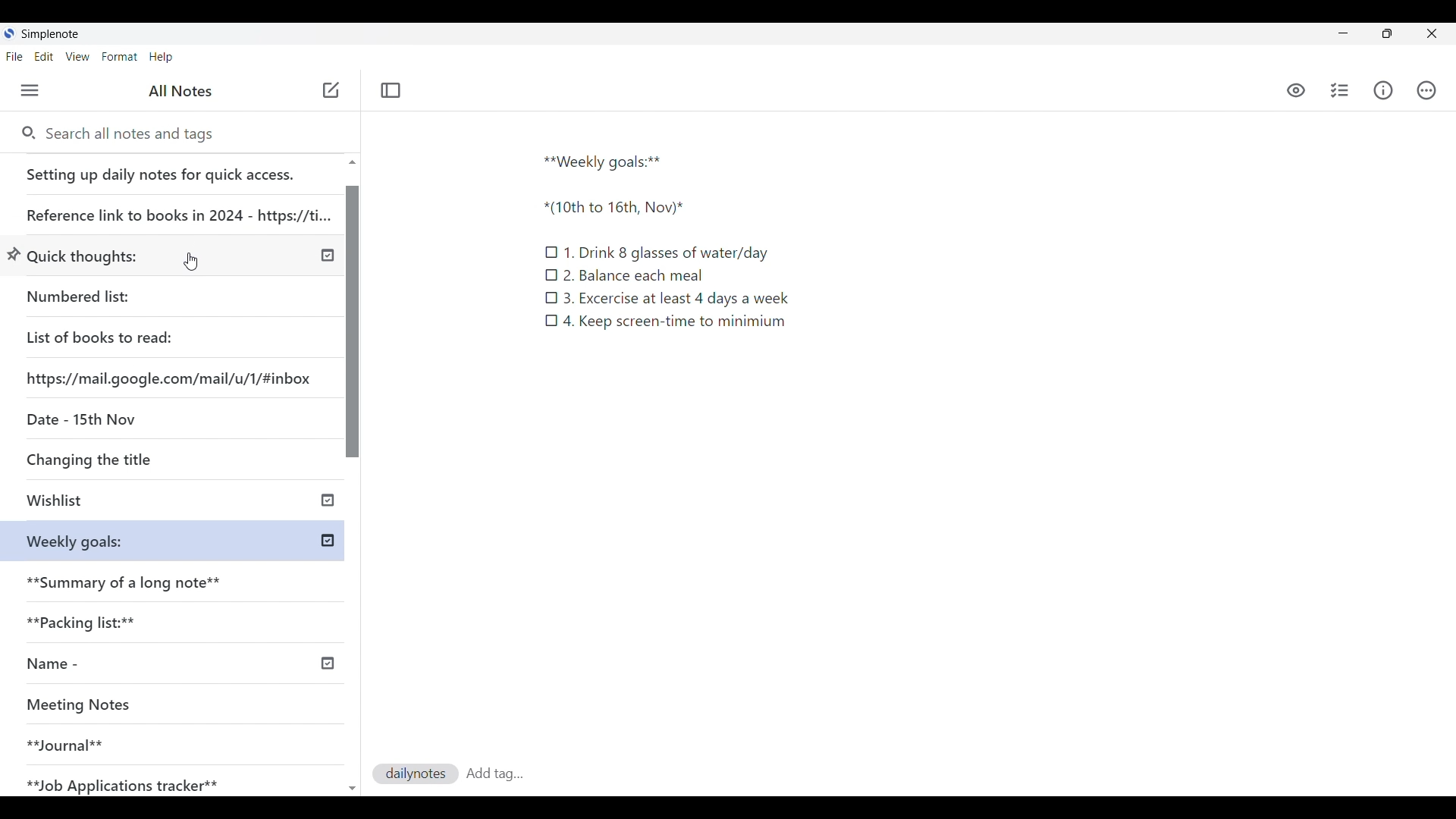 The image size is (1456, 819). Describe the element at coordinates (130, 782) in the screenshot. I see `Job Application tracker` at that location.